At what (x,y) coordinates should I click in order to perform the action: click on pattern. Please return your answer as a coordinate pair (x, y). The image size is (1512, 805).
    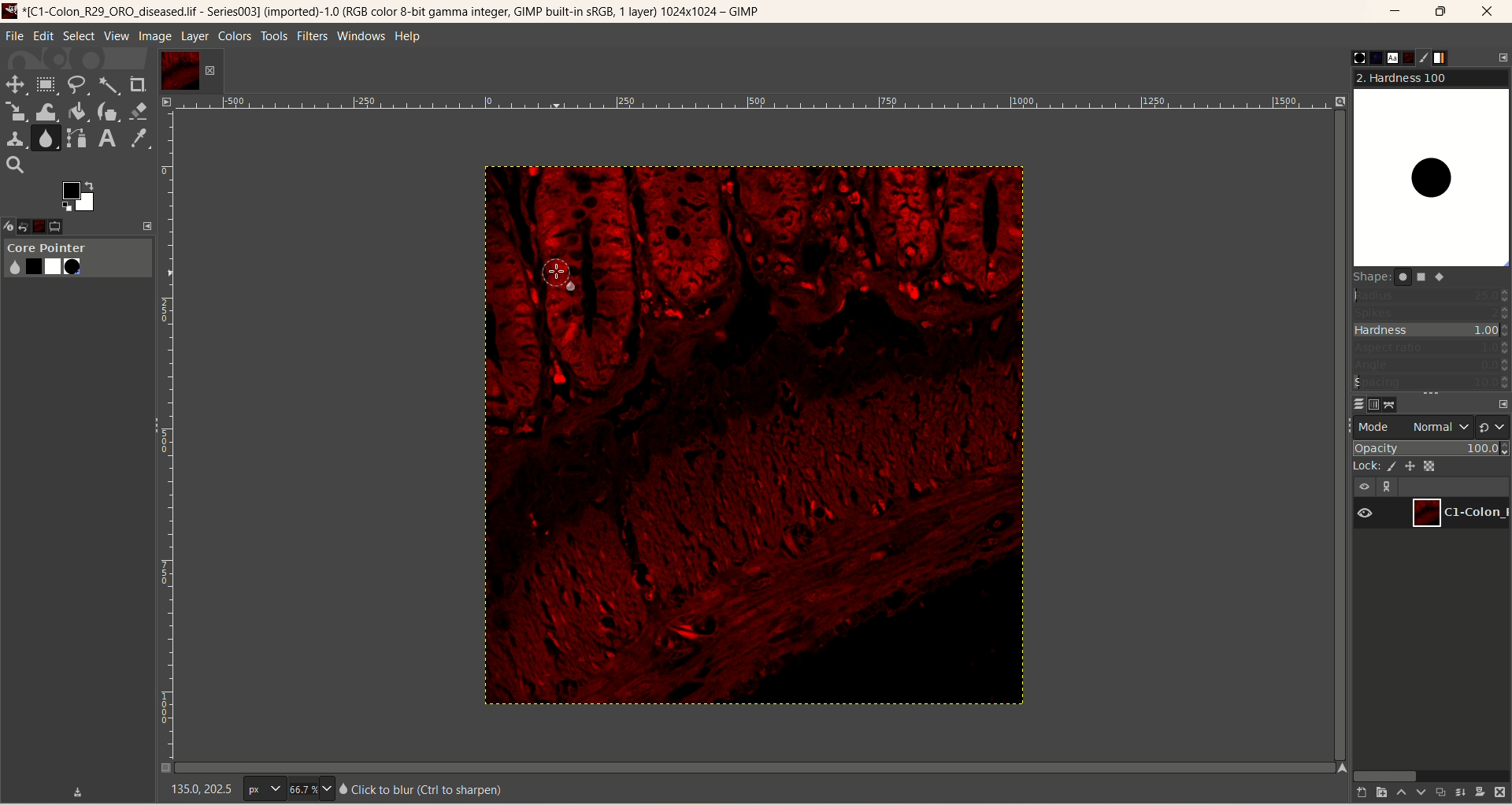
    Looking at the image, I should click on (1366, 57).